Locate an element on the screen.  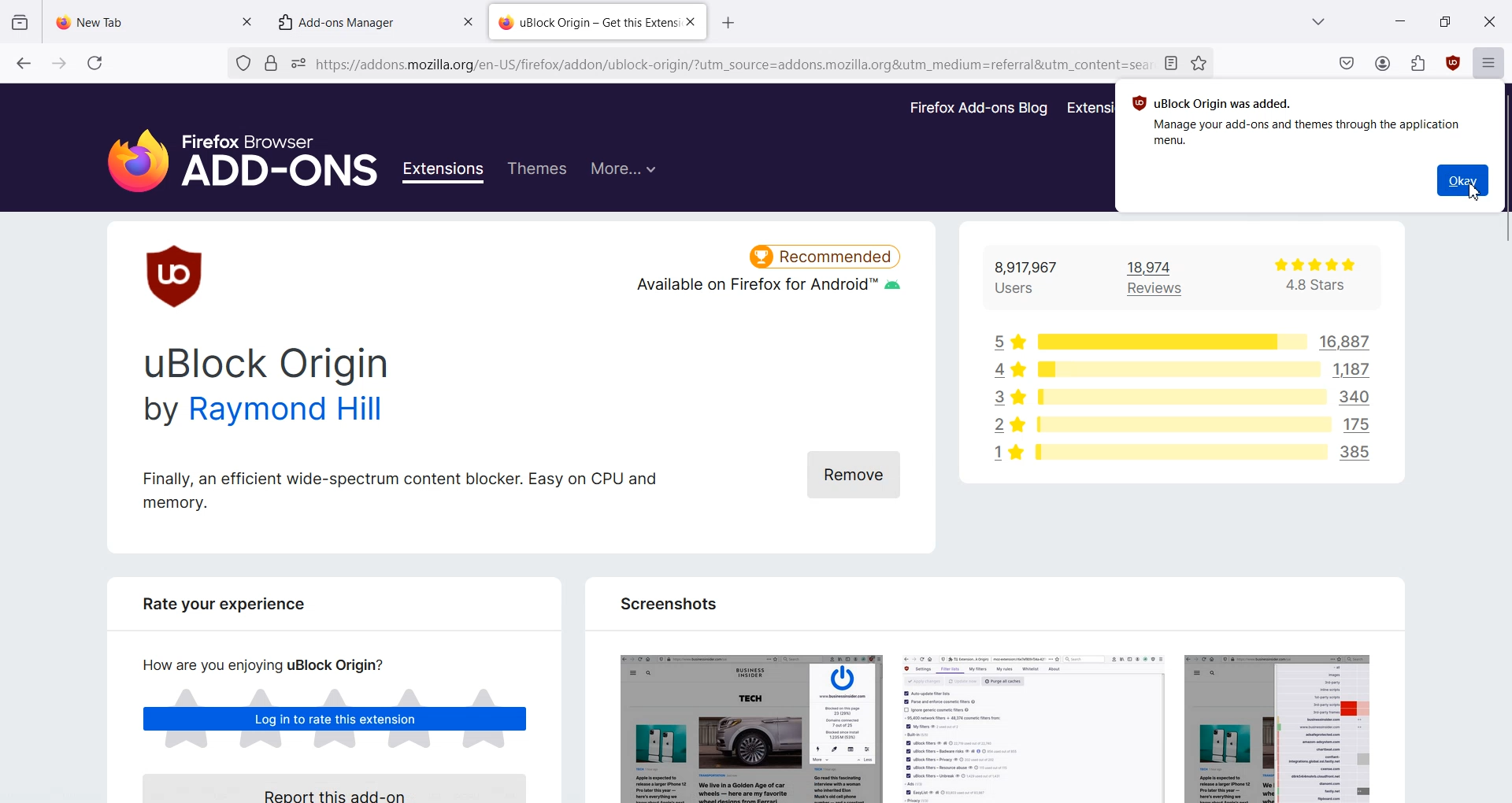
Themes is located at coordinates (536, 169).